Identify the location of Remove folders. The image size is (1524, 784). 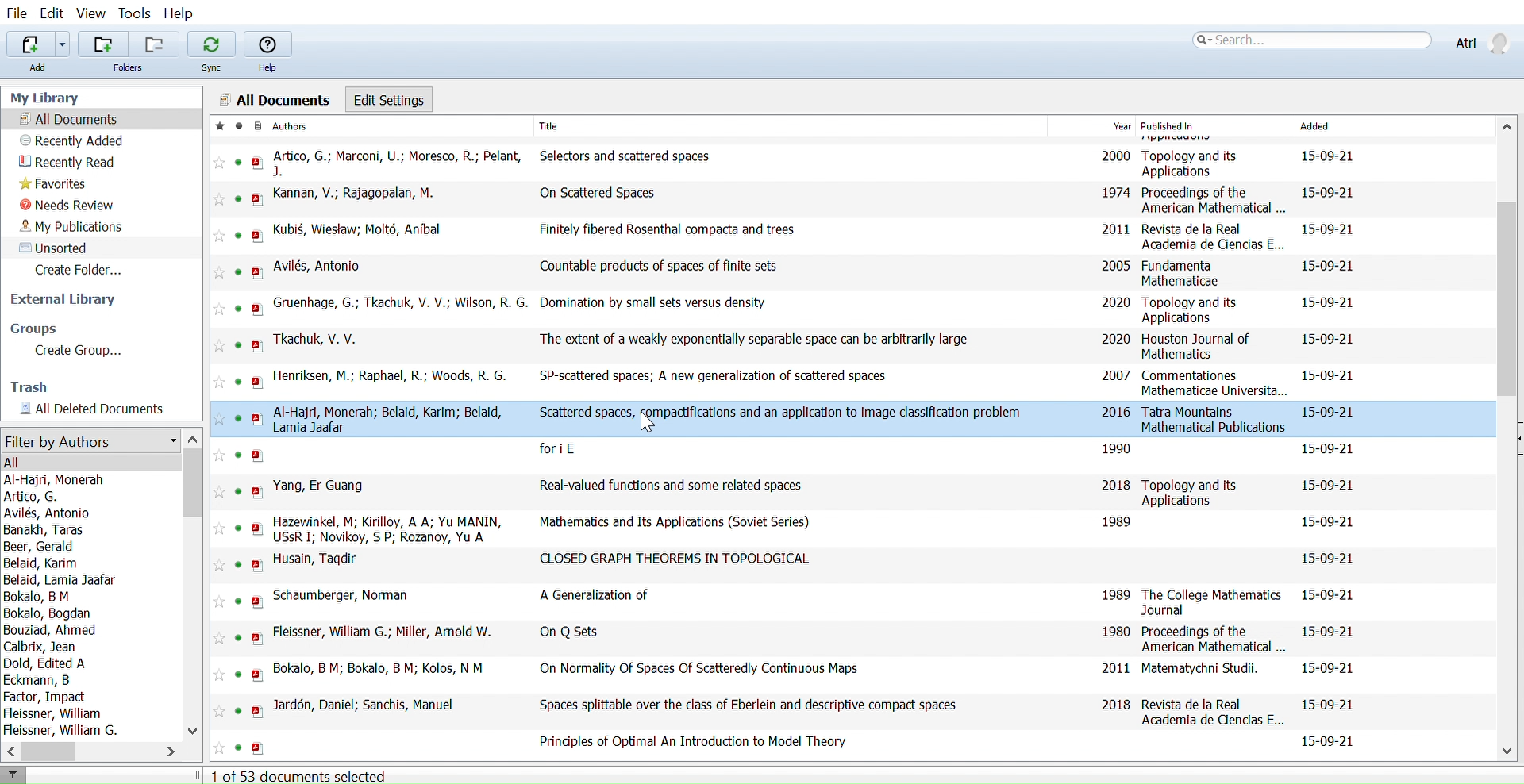
(153, 44).